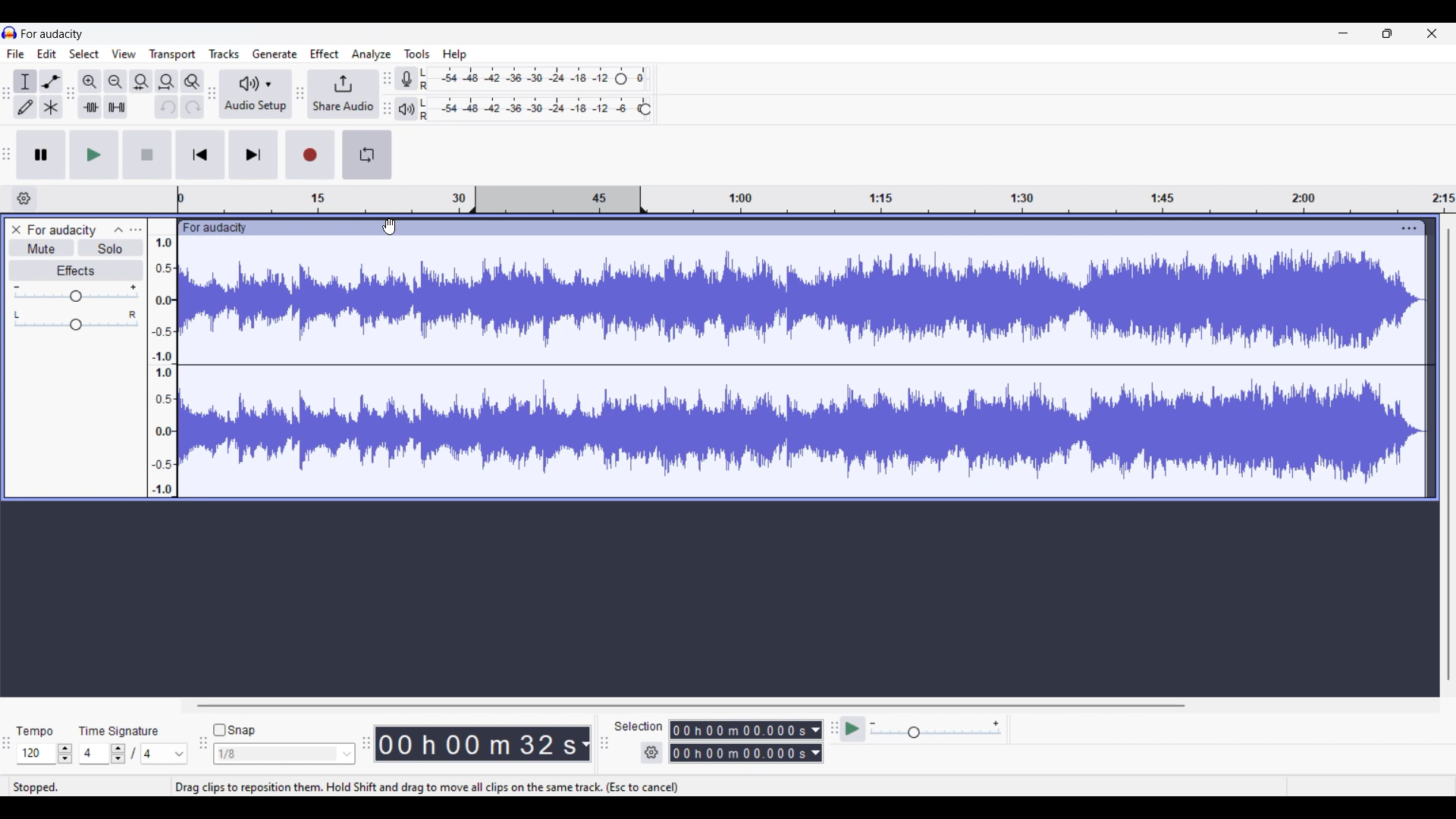 Image resolution: width=1456 pixels, height=819 pixels. Describe the element at coordinates (90, 82) in the screenshot. I see `Zoom in` at that location.